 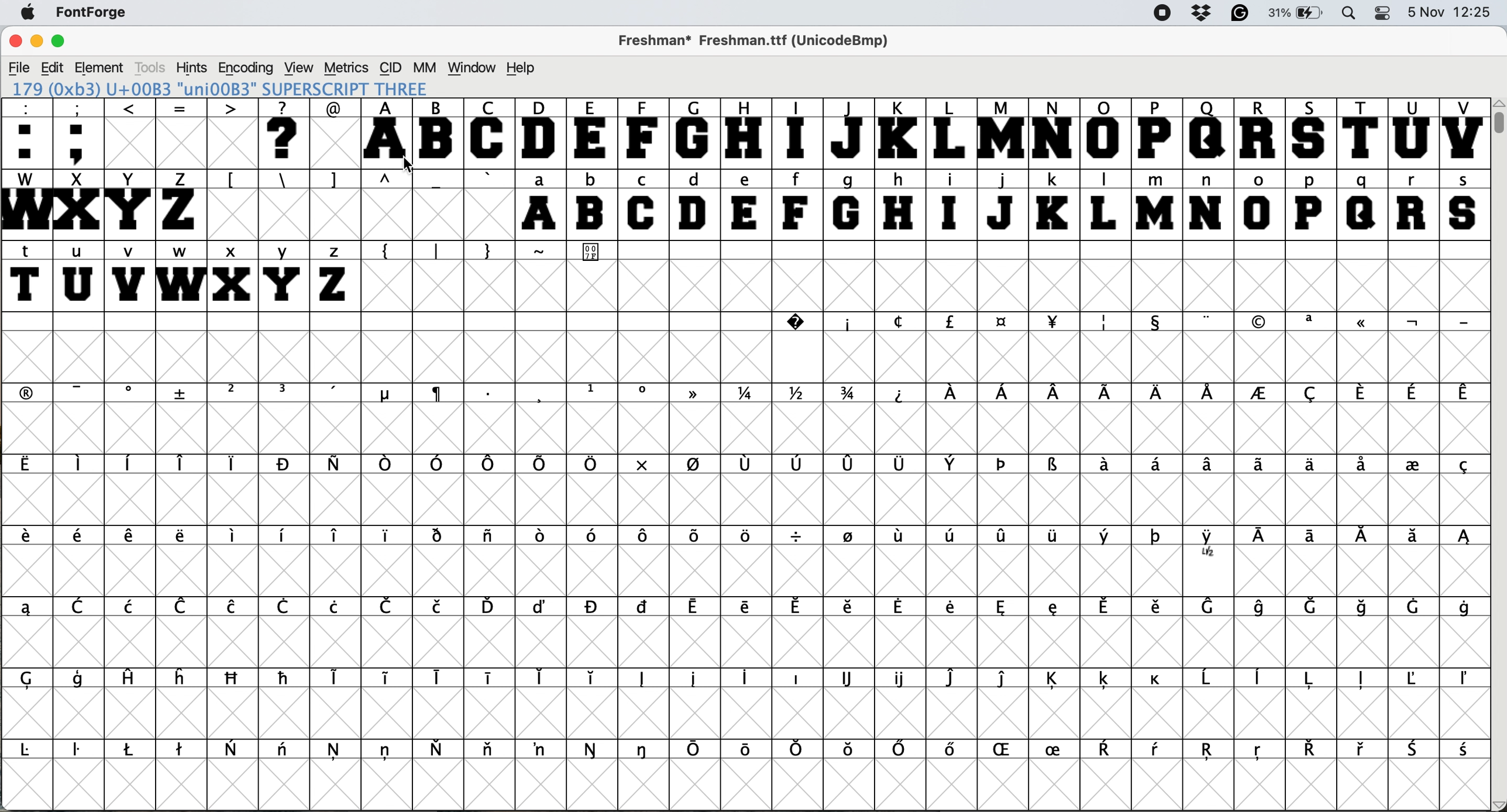 What do you see at coordinates (131, 605) in the screenshot?
I see `symbol` at bounding box center [131, 605].